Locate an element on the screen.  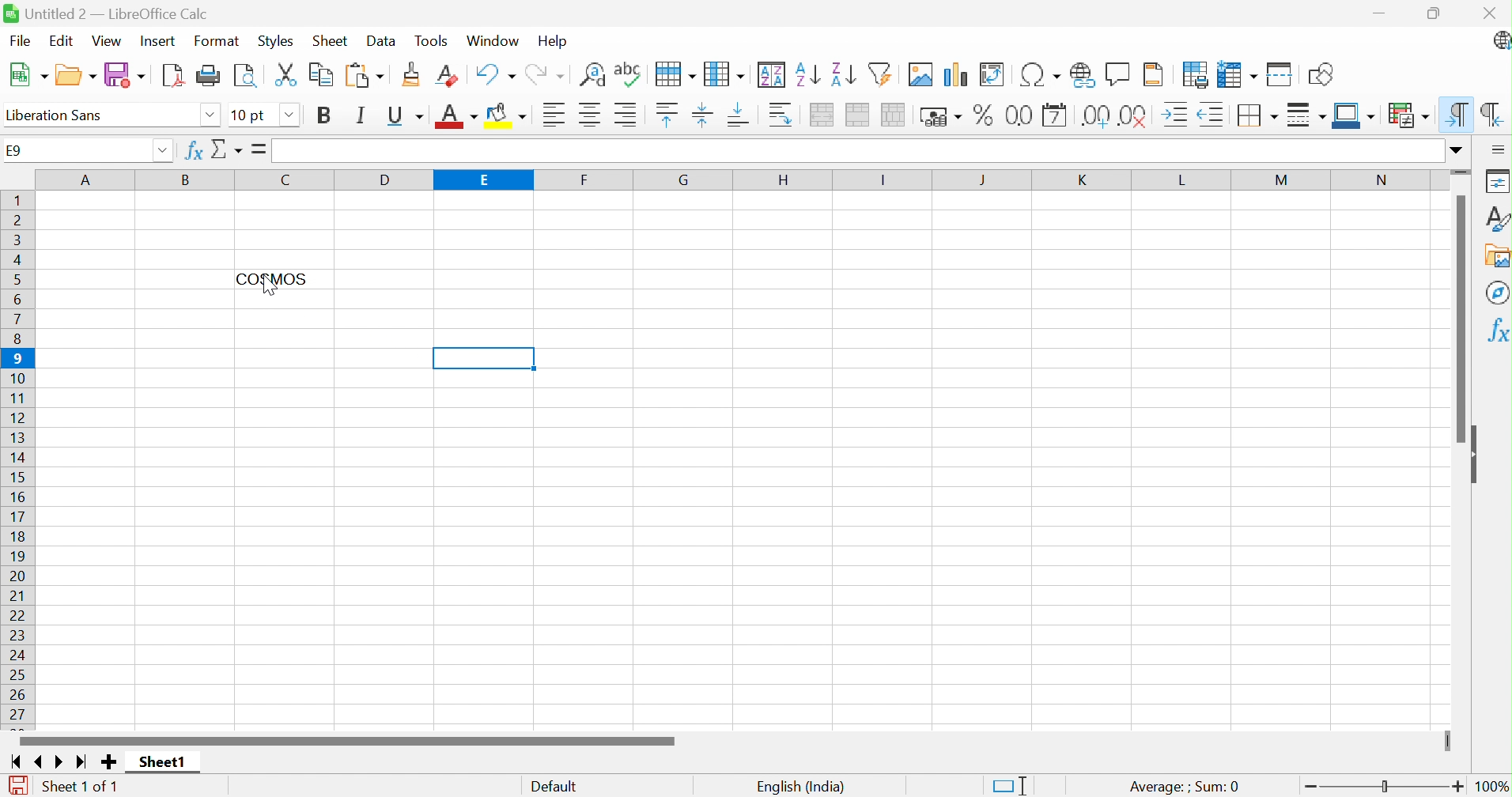
Print is located at coordinates (209, 76).